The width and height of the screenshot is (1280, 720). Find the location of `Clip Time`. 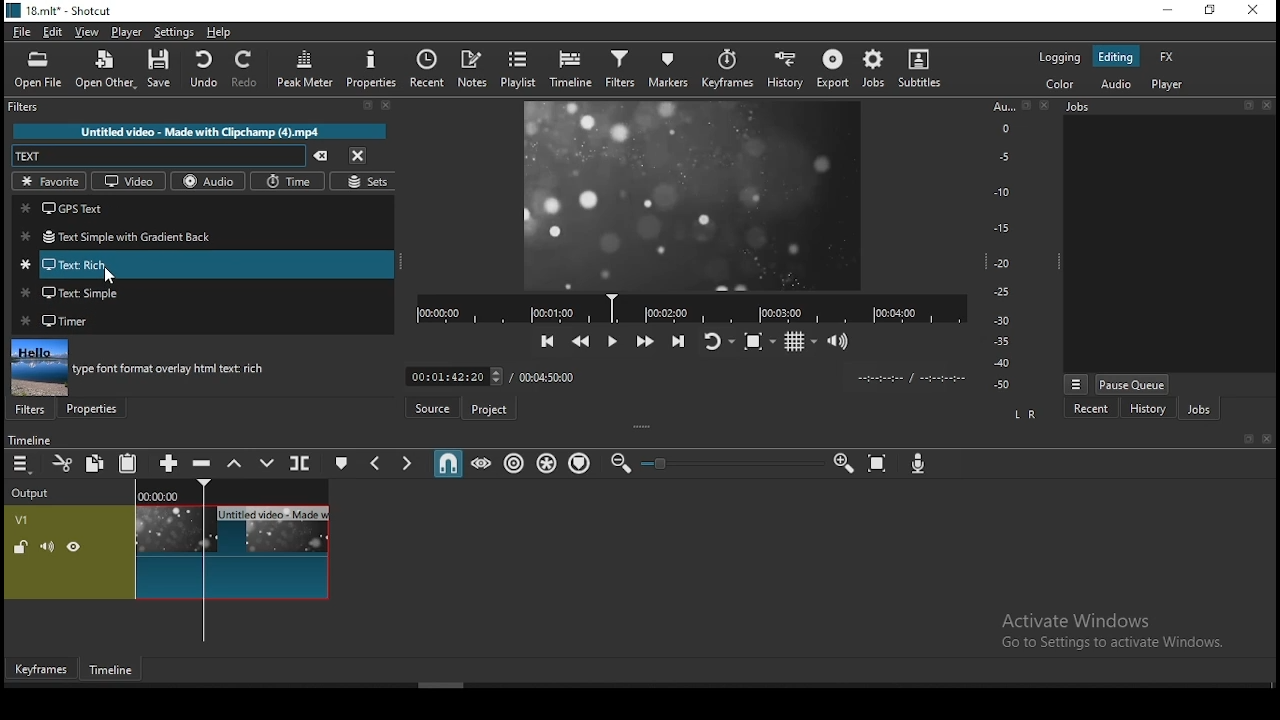

Clip Time is located at coordinates (910, 379).